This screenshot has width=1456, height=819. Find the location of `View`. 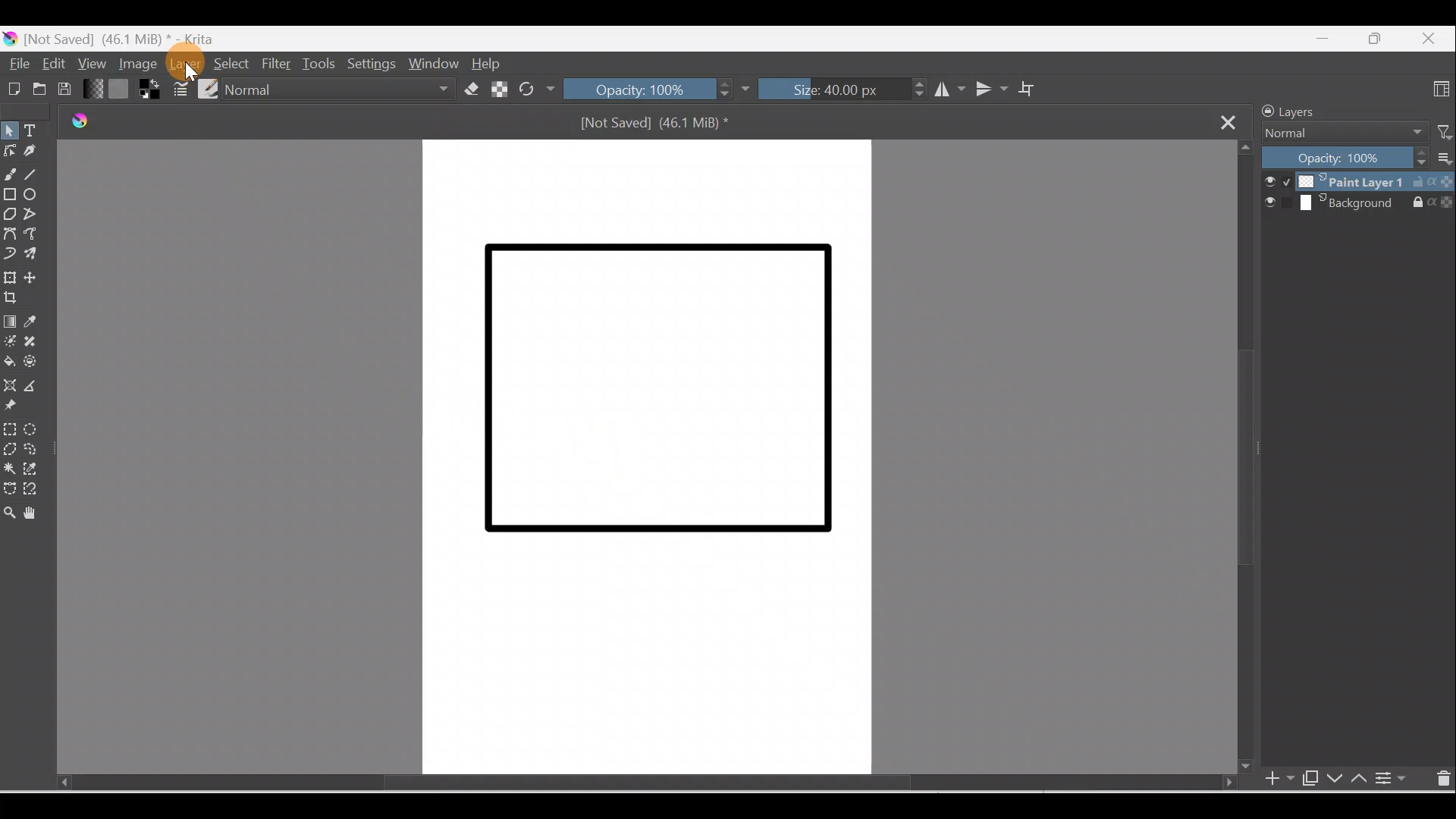

View is located at coordinates (91, 62).